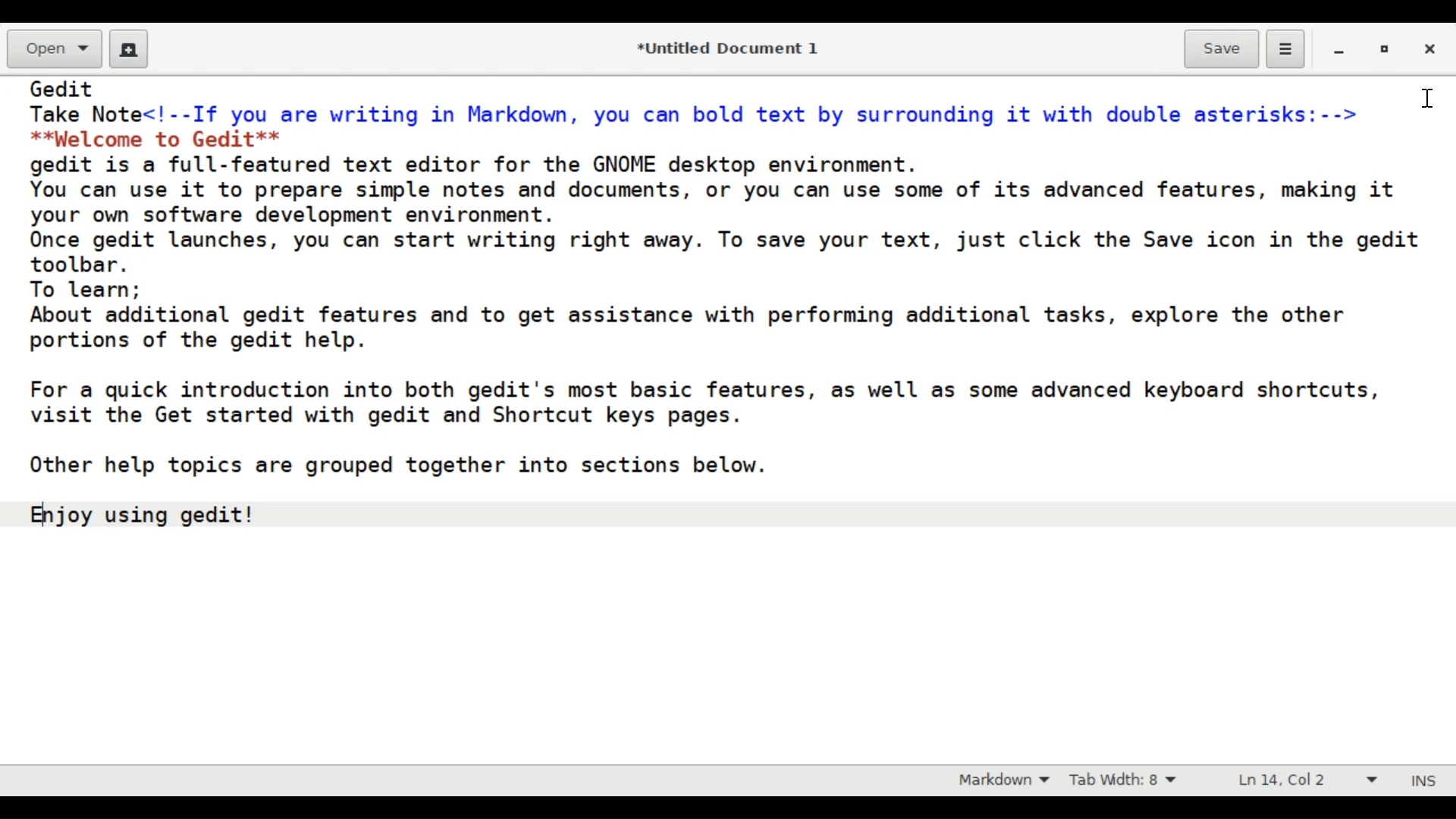 The width and height of the screenshot is (1456, 819). Describe the element at coordinates (1004, 780) in the screenshot. I see `Highlight Mode` at that location.